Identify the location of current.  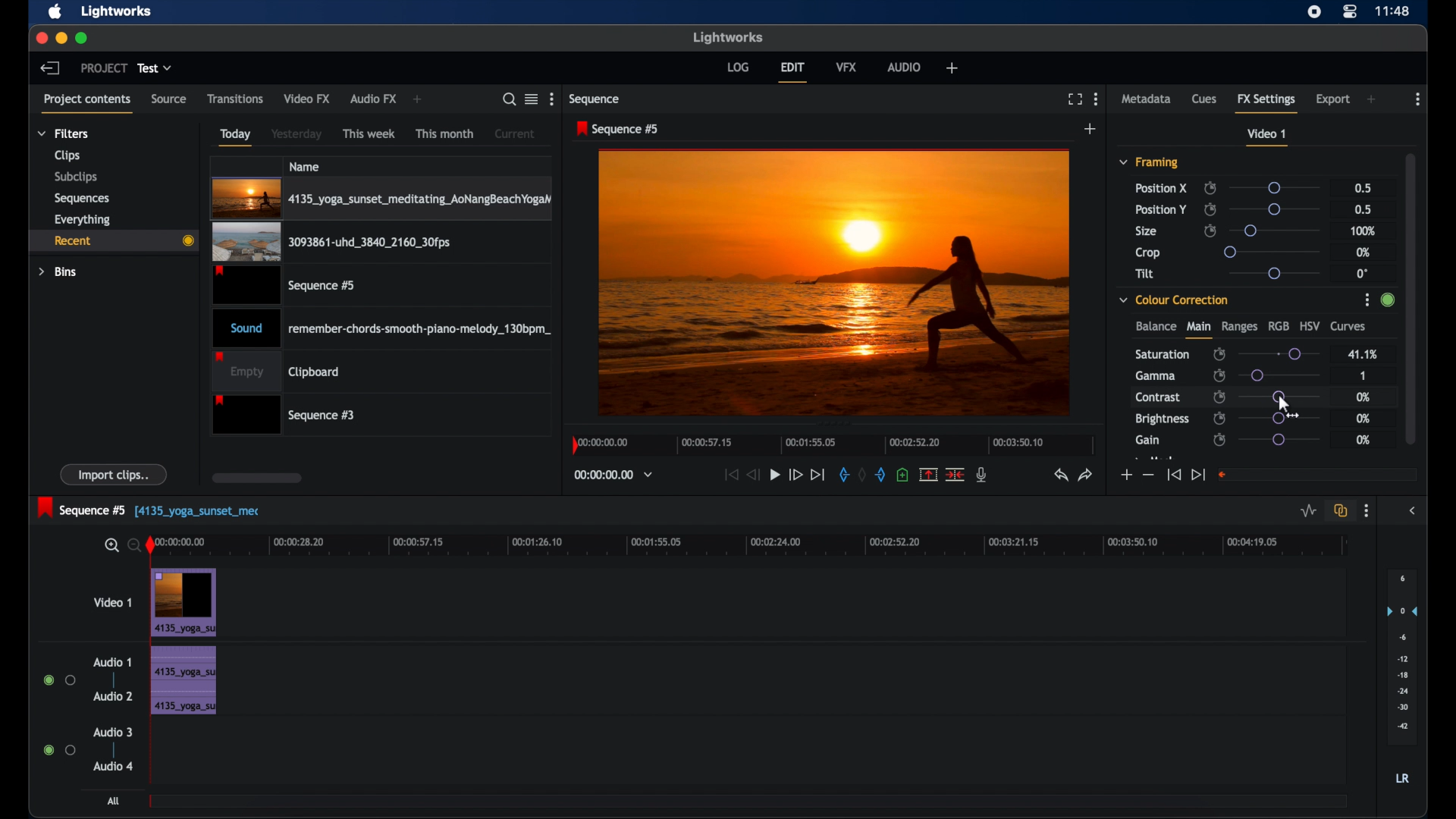
(515, 133).